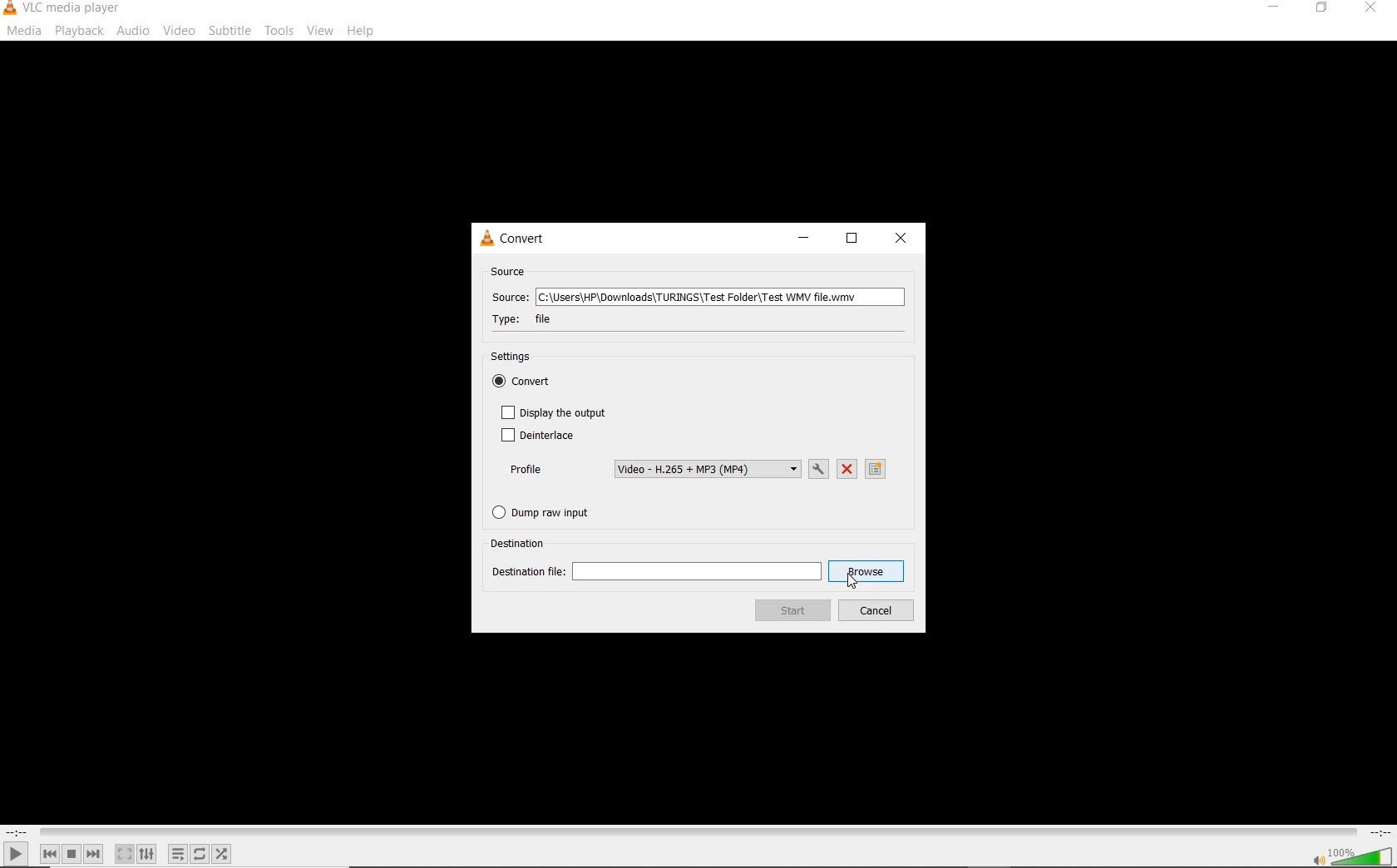 The height and width of the screenshot is (868, 1397). I want to click on video - MP4, so click(707, 469).